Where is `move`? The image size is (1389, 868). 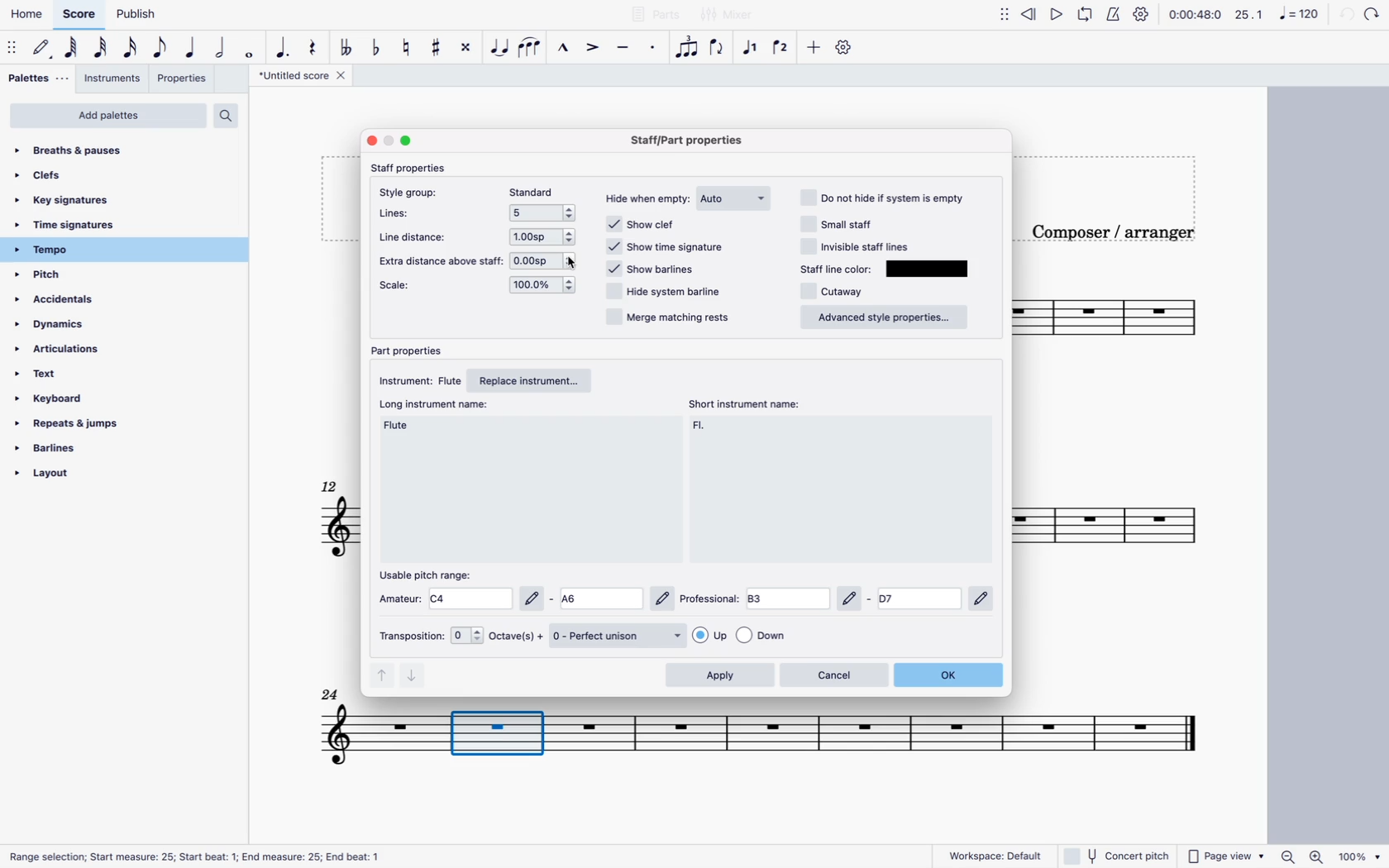 move is located at coordinates (1000, 14).